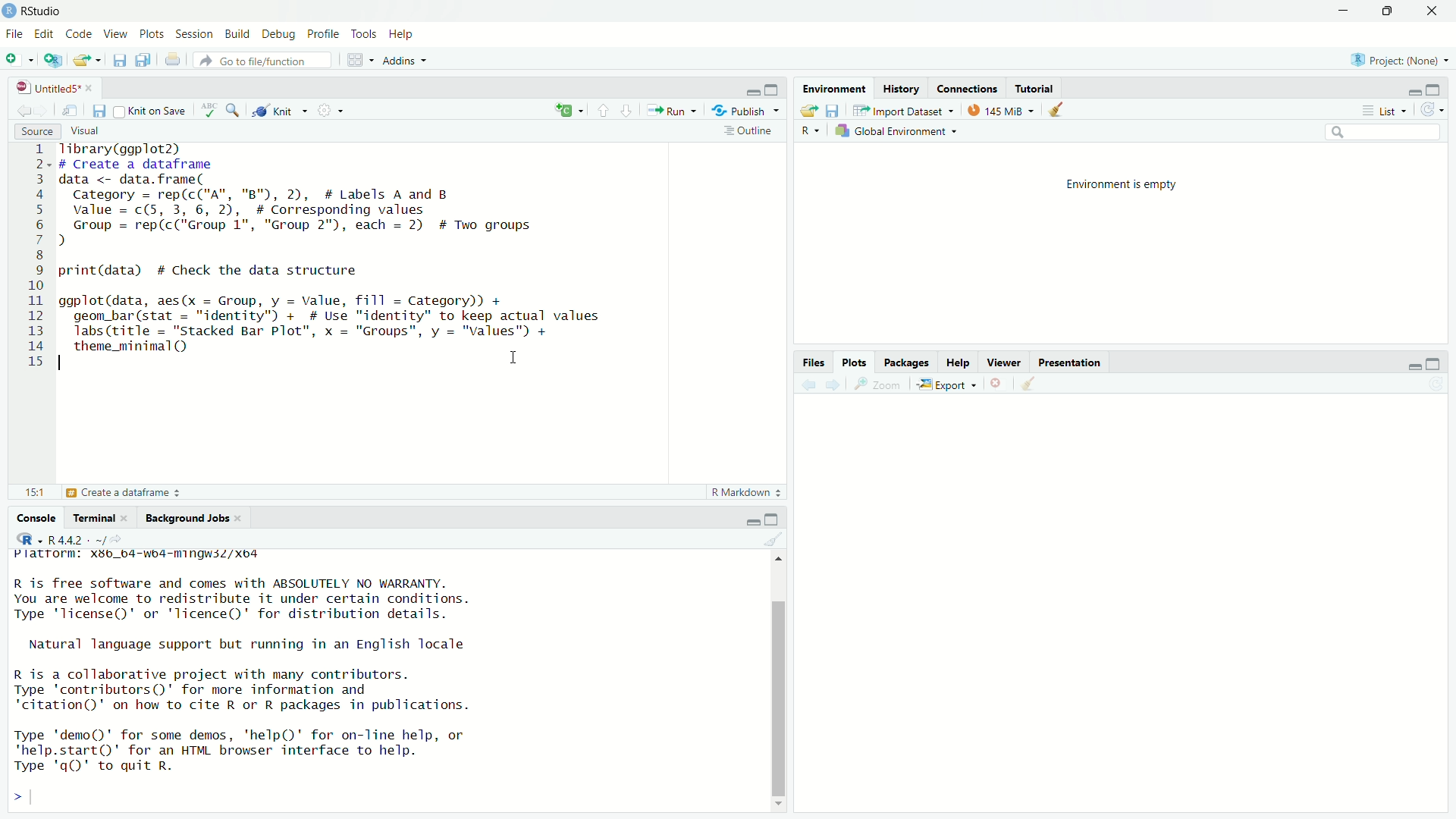  Describe the element at coordinates (904, 360) in the screenshot. I see `Packages` at that location.